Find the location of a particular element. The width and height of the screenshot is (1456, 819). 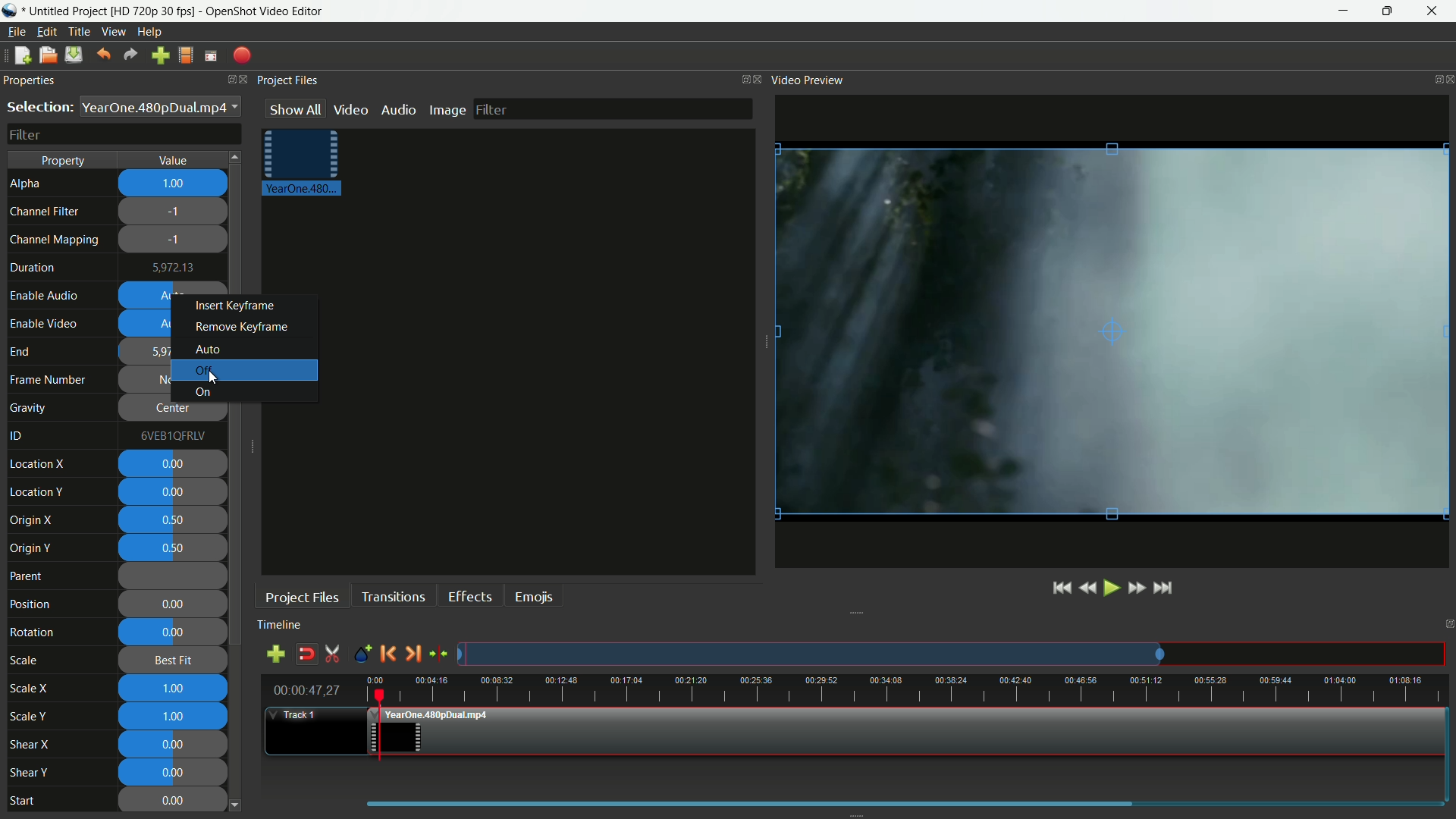

-1 is located at coordinates (176, 213).